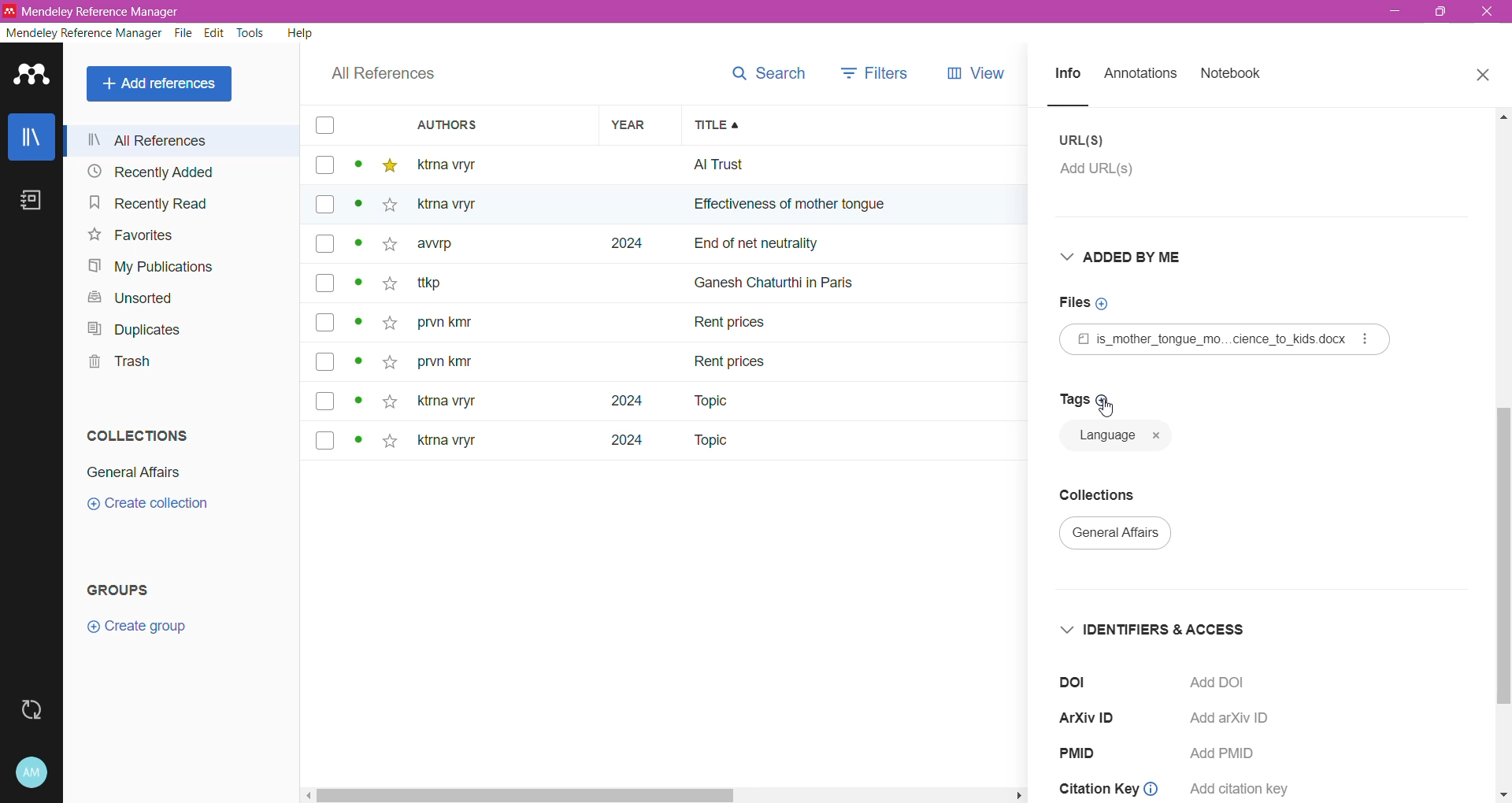 The image size is (1512, 803). I want to click on doi, so click(1077, 682).